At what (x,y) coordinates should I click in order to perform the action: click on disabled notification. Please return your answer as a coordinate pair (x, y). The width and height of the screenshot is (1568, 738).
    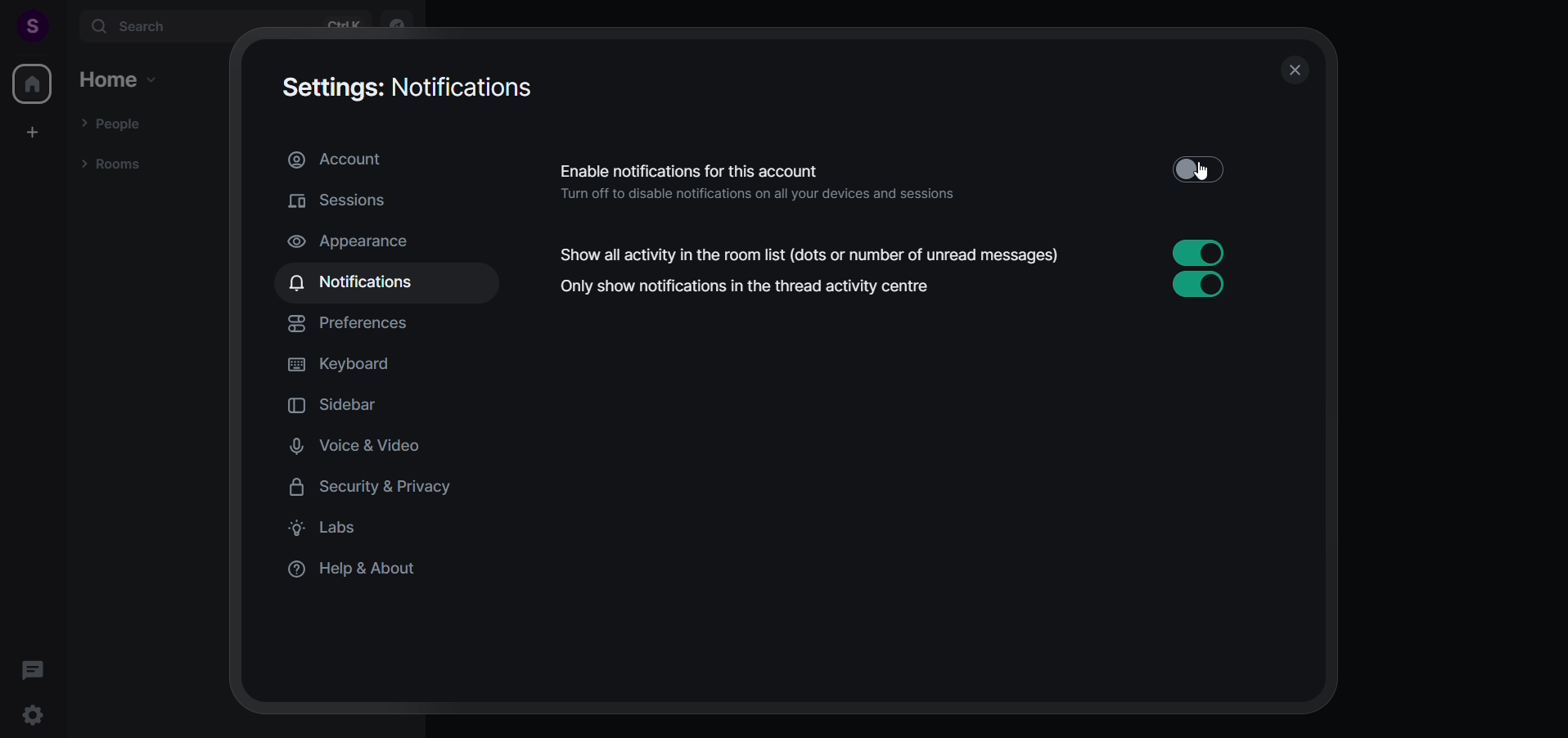
    Looking at the image, I should click on (894, 178).